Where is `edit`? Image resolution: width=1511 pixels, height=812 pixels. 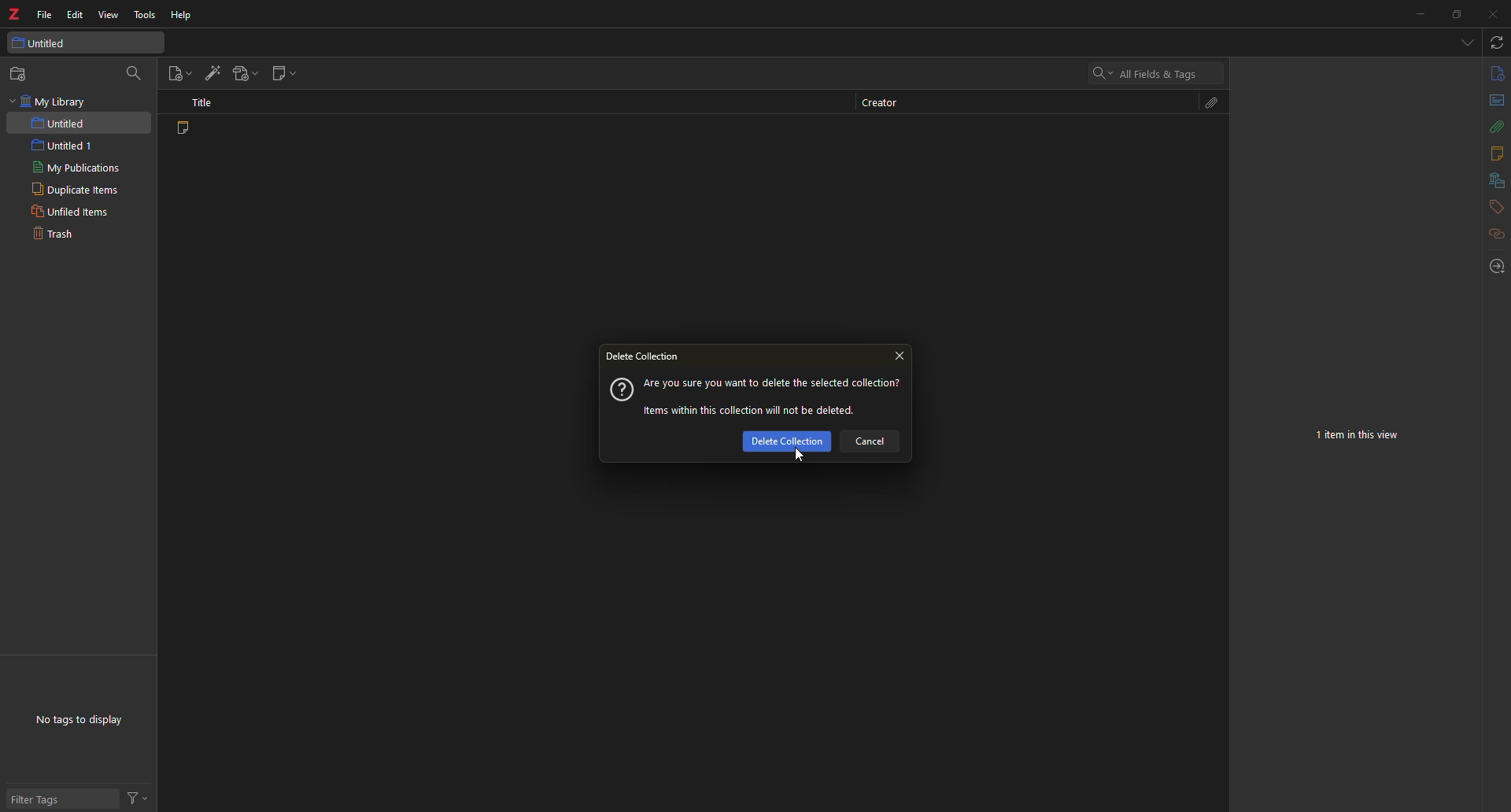 edit is located at coordinates (76, 16).